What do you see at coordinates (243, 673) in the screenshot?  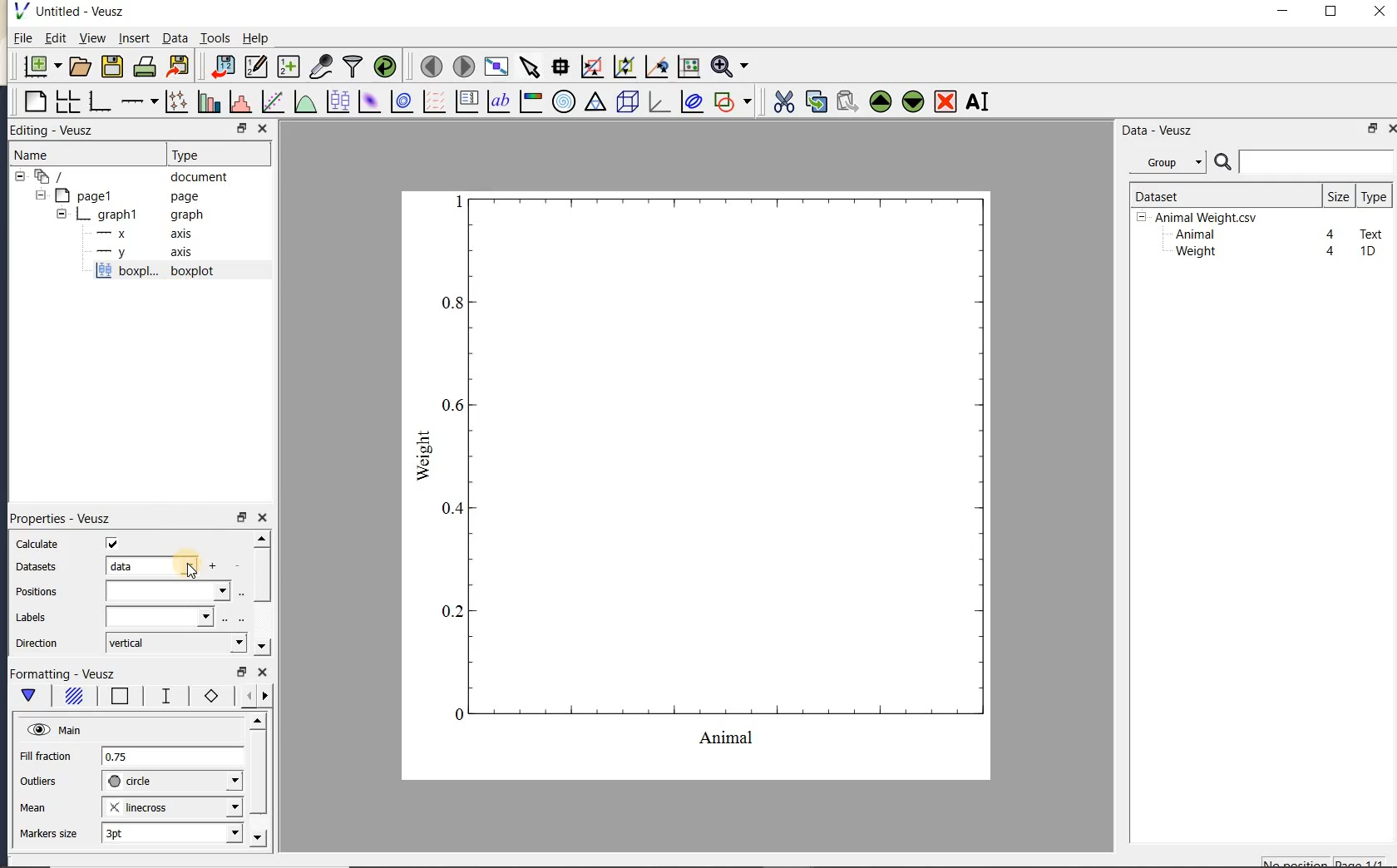 I see `restore` at bounding box center [243, 673].